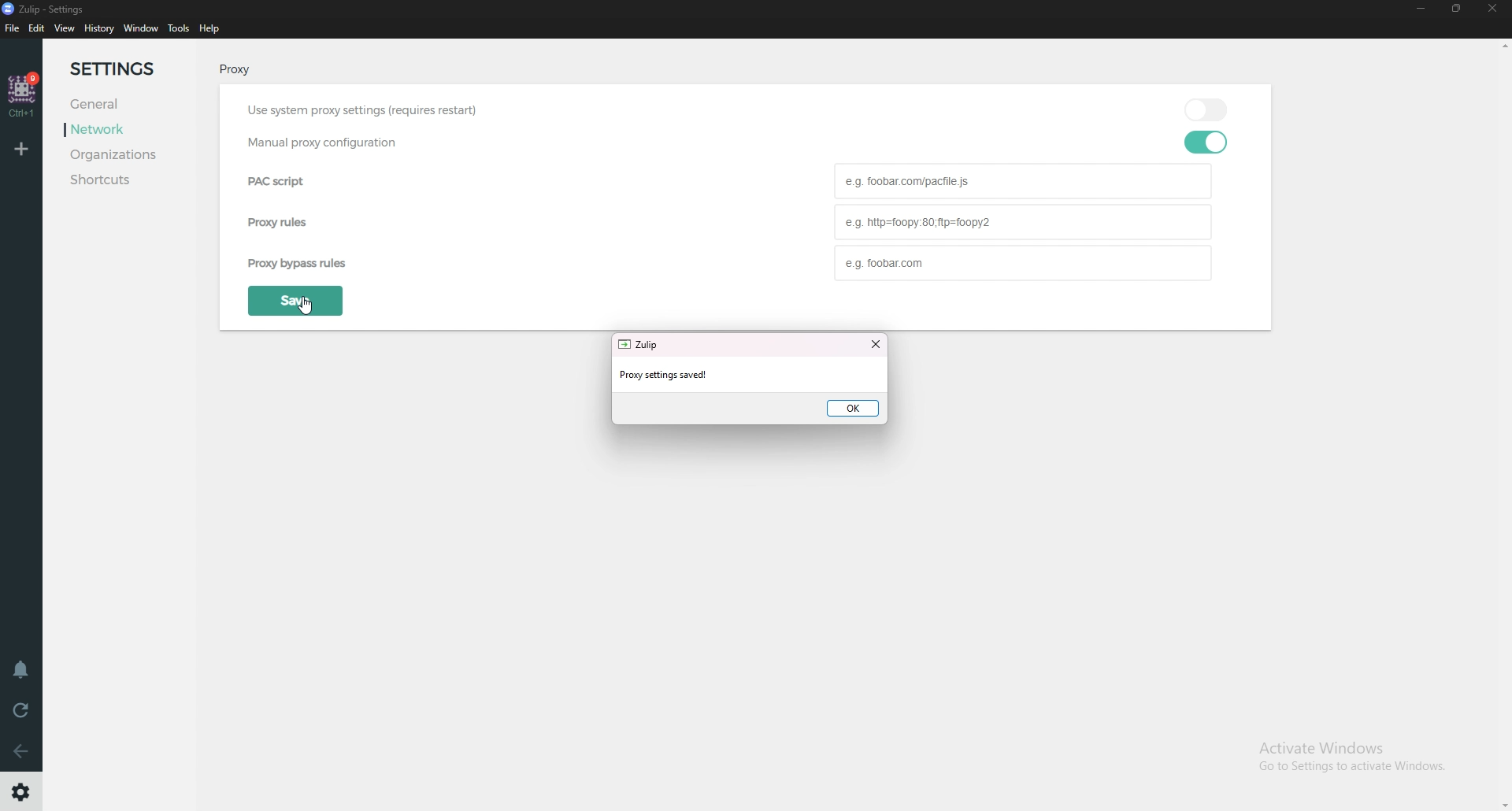  What do you see at coordinates (22, 670) in the screenshot?
I see `Enable do not disturb` at bounding box center [22, 670].